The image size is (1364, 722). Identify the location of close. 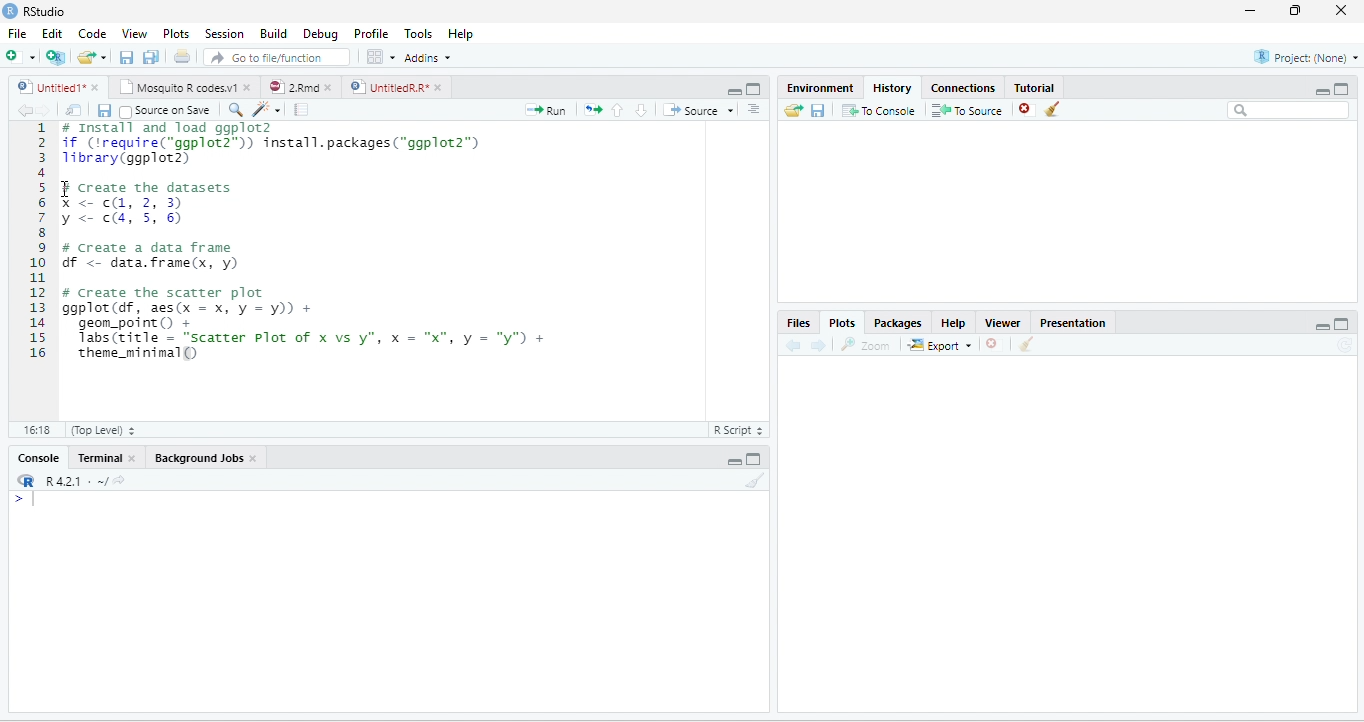
(328, 87).